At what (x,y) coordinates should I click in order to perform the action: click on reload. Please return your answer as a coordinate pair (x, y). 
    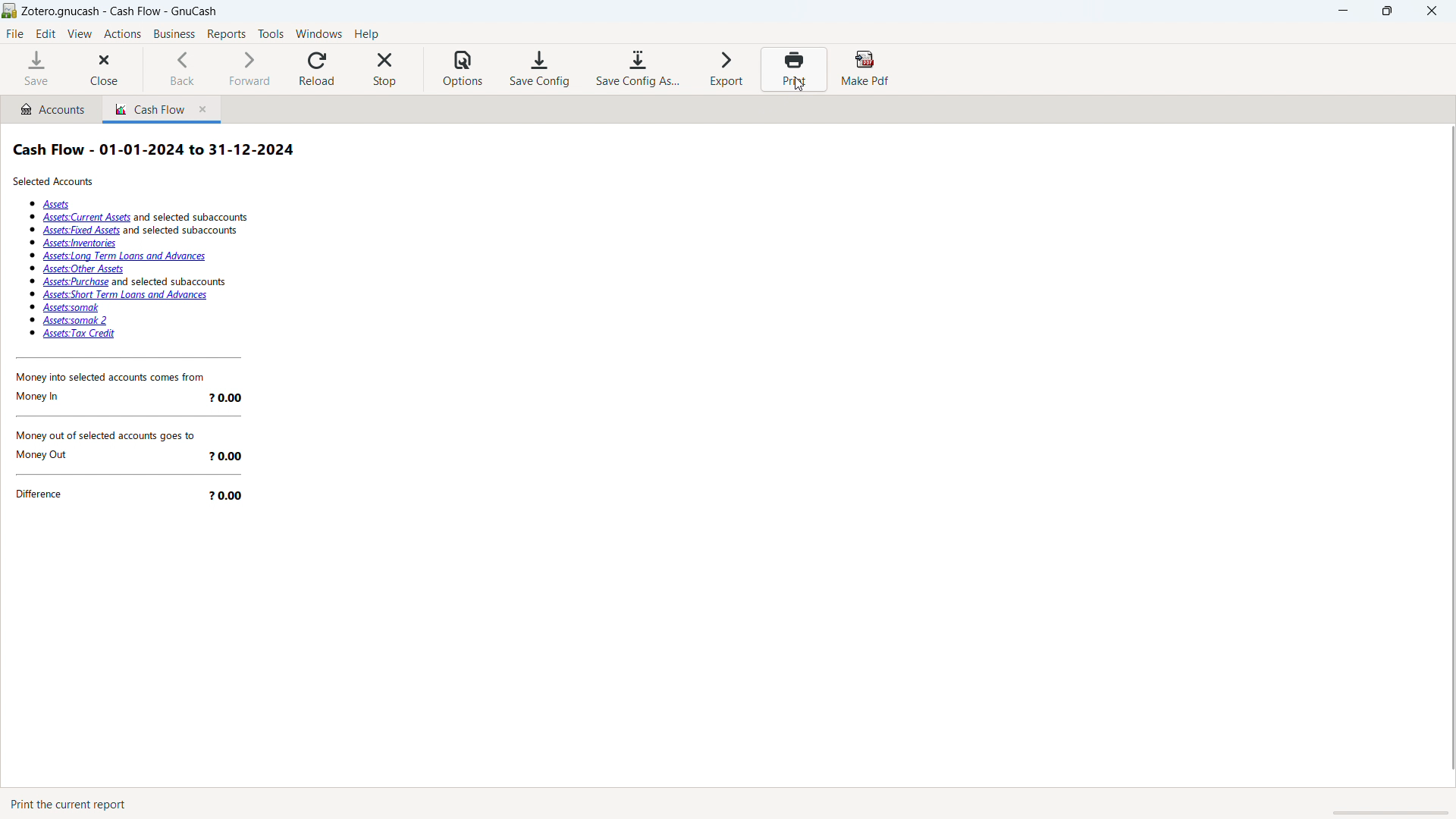
    Looking at the image, I should click on (318, 69).